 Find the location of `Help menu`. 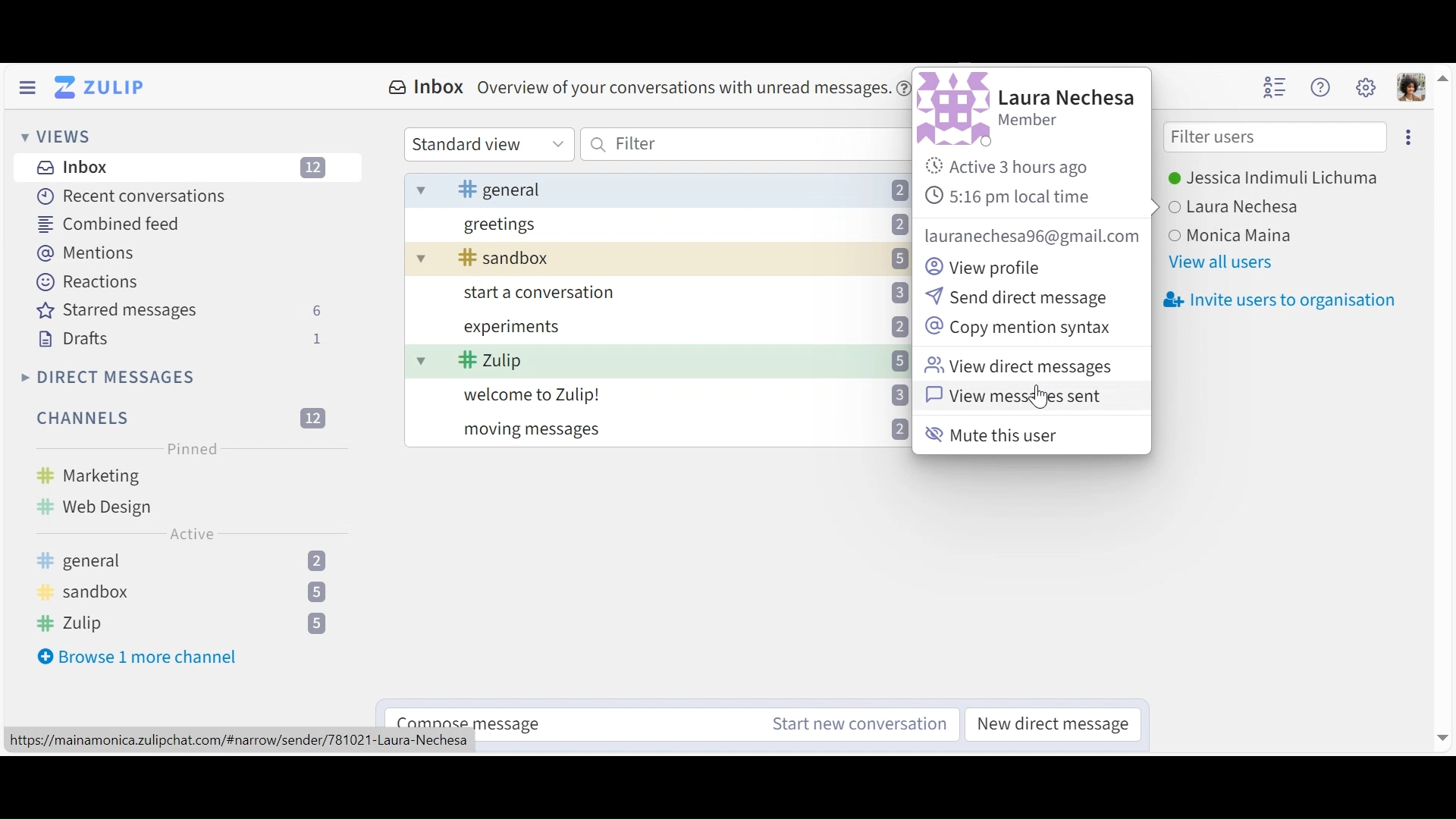

Help menu is located at coordinates (1320, 88).